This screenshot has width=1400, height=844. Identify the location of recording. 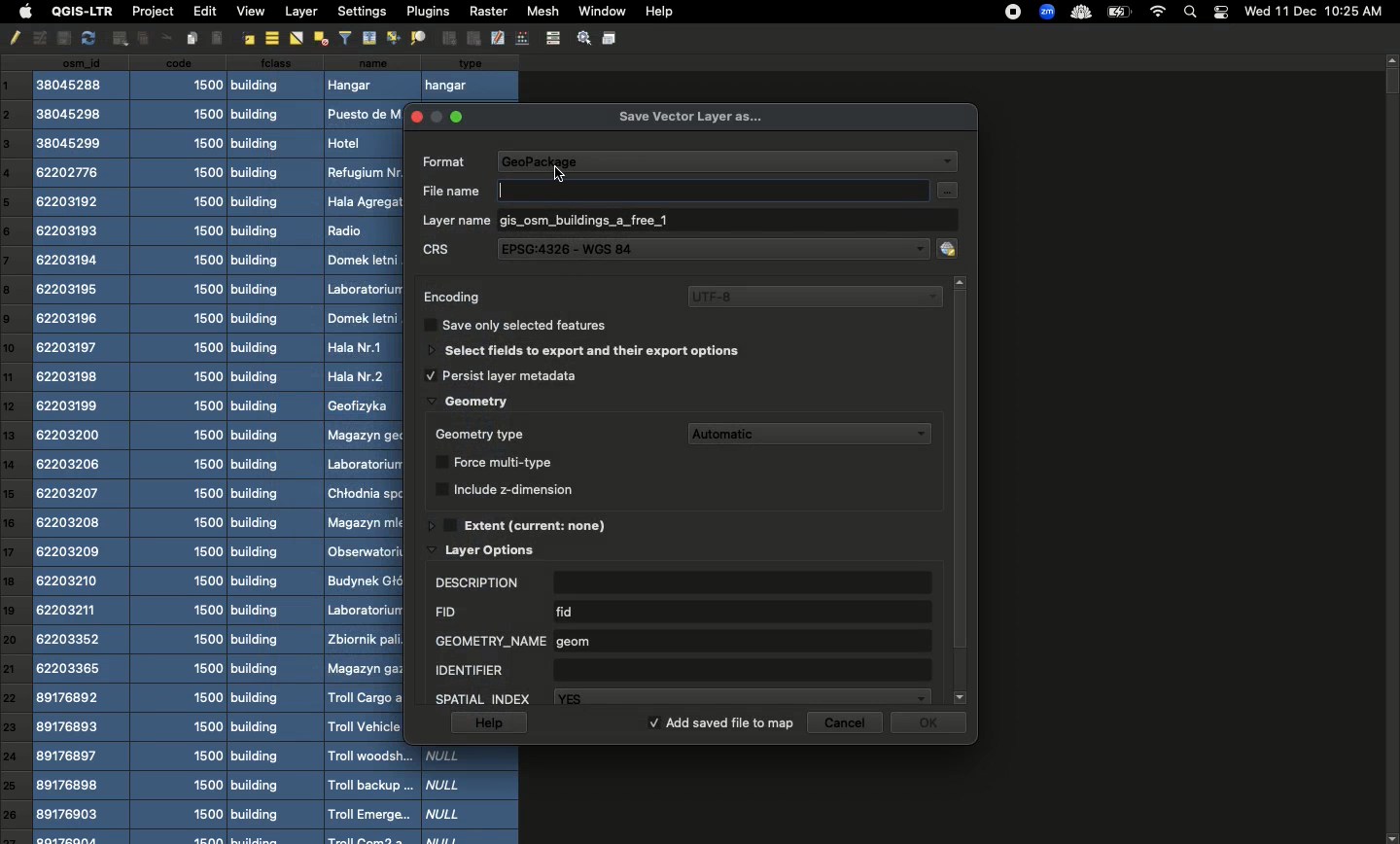
(1008, 12).